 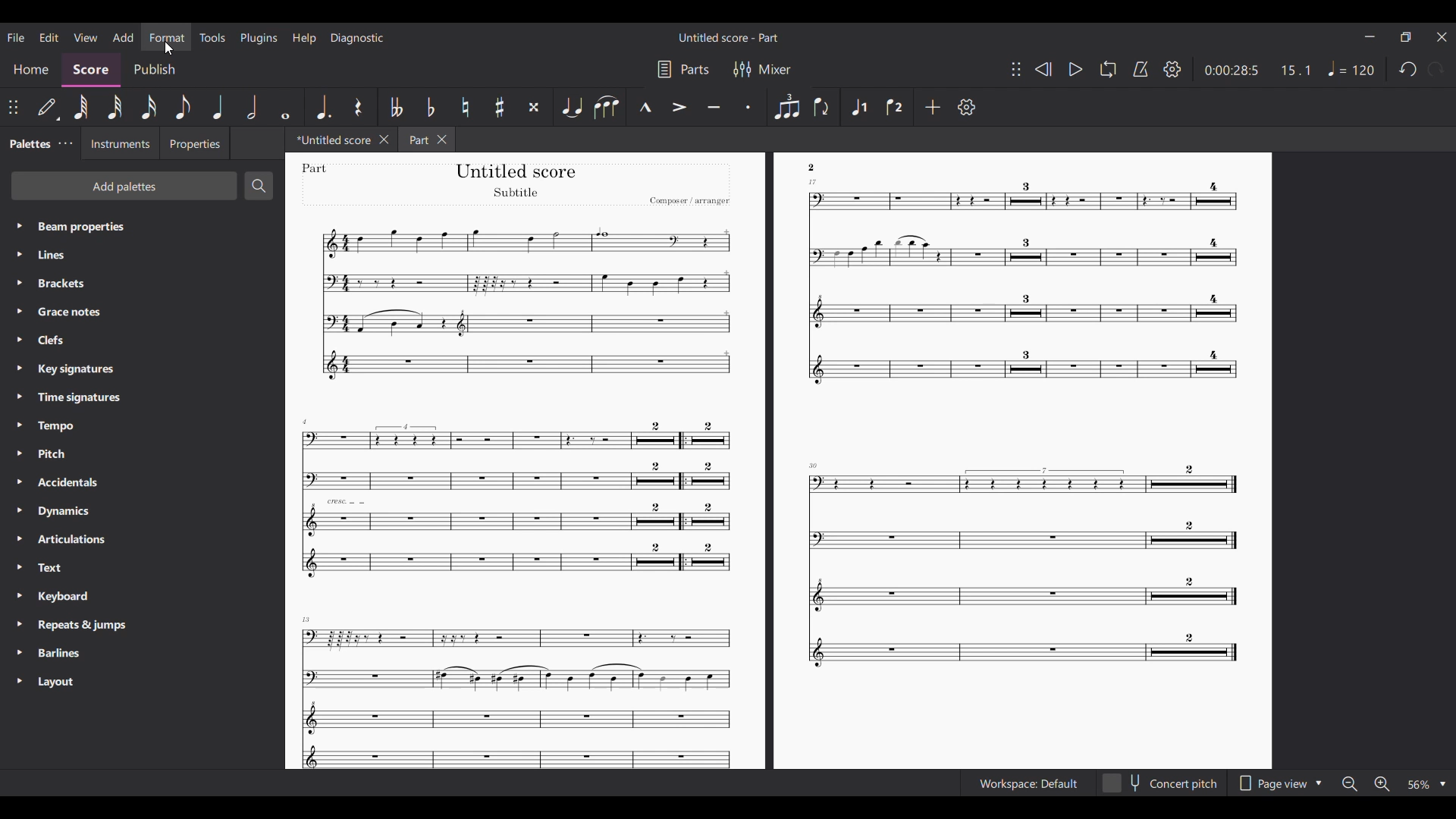 I want to click on Marcato, so click(x=644, y=106).